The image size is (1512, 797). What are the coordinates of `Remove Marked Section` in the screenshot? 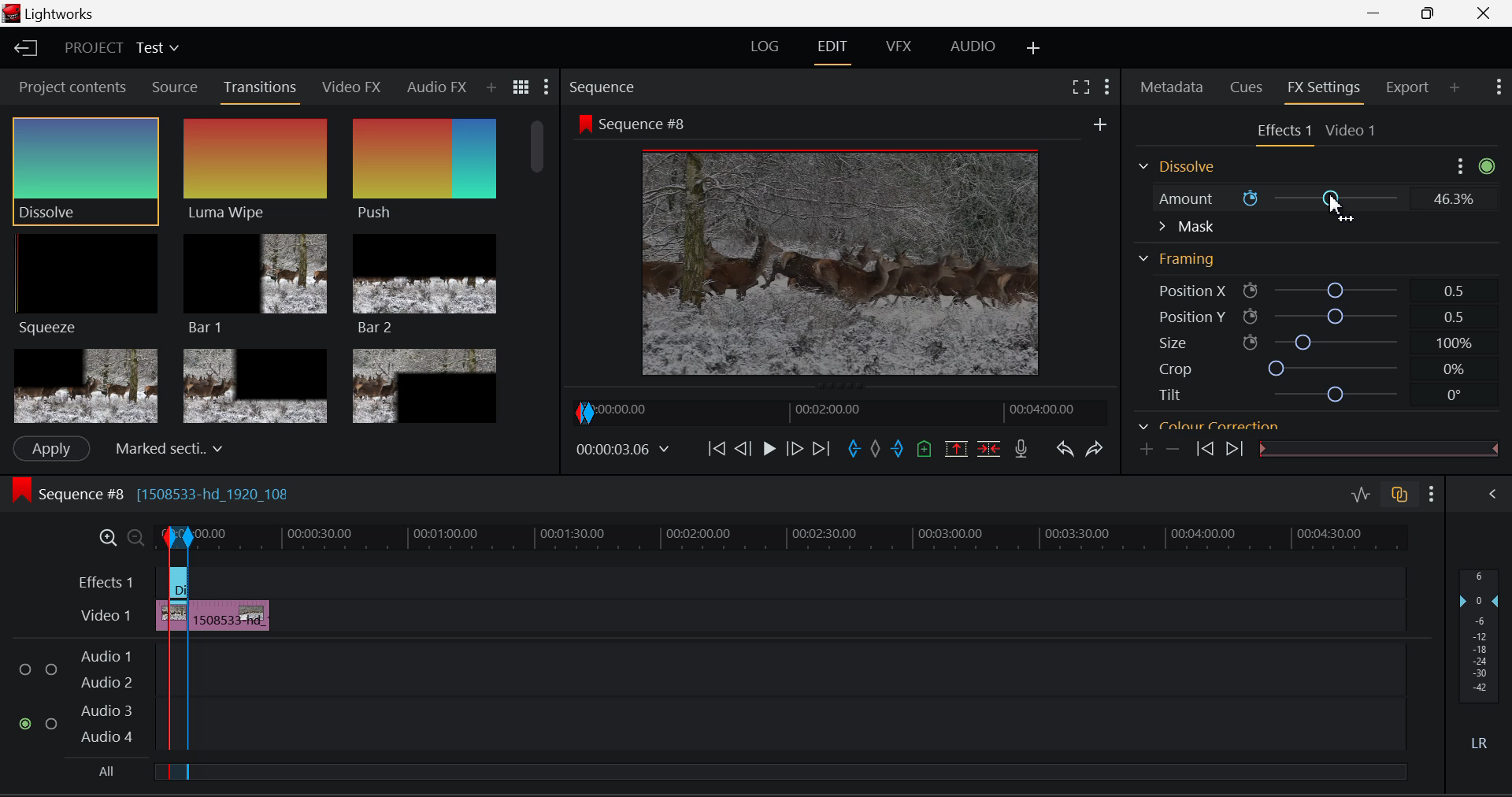 It's located at (958, 448).